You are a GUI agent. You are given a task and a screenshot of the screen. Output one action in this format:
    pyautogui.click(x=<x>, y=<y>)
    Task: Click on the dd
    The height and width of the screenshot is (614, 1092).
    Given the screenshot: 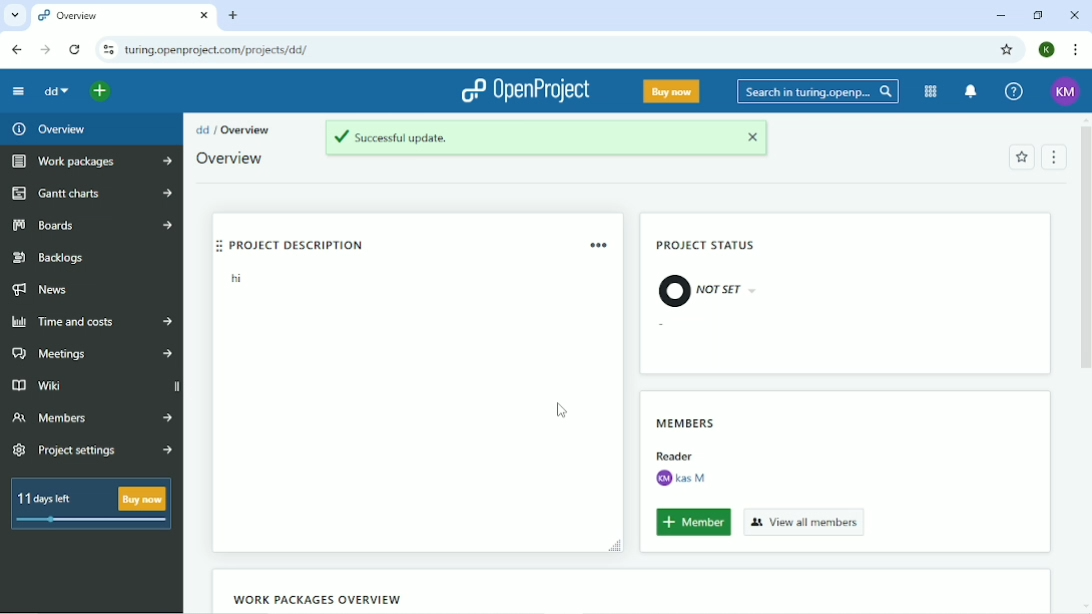 What is the action you would take?
    pyautogui.click(x=202, y=129)
    